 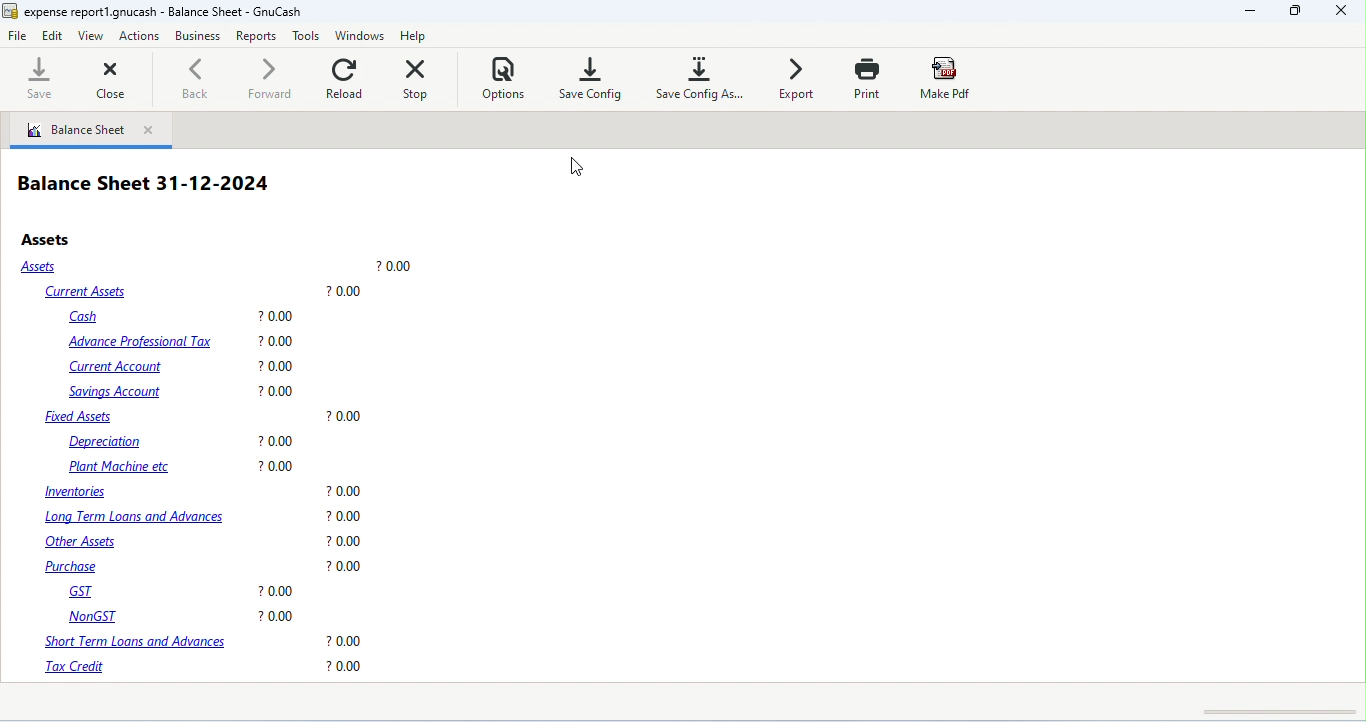 I want to click on close, so click(x=99, y=79).